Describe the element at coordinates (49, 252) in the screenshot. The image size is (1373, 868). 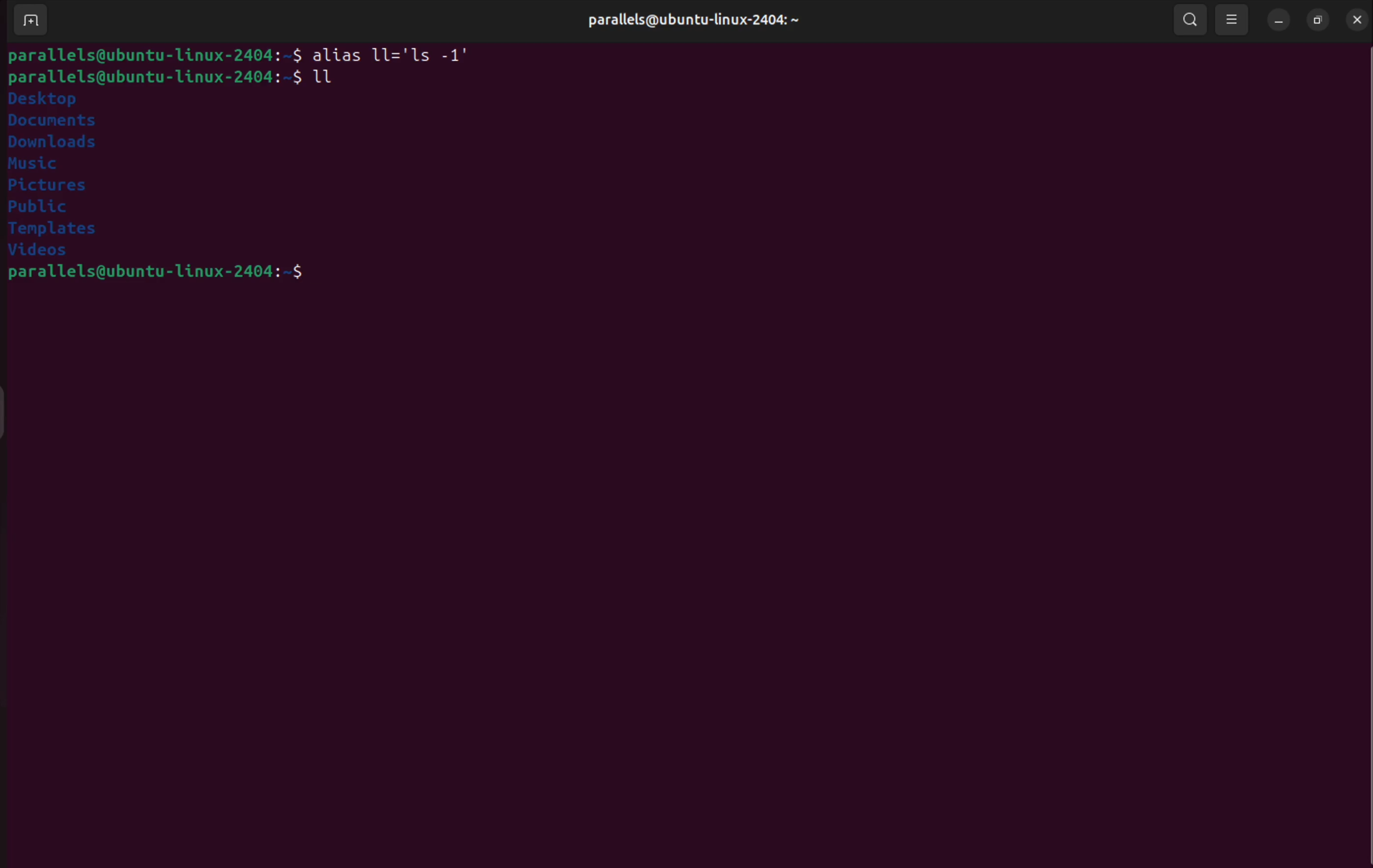
I see `videos` at that location.